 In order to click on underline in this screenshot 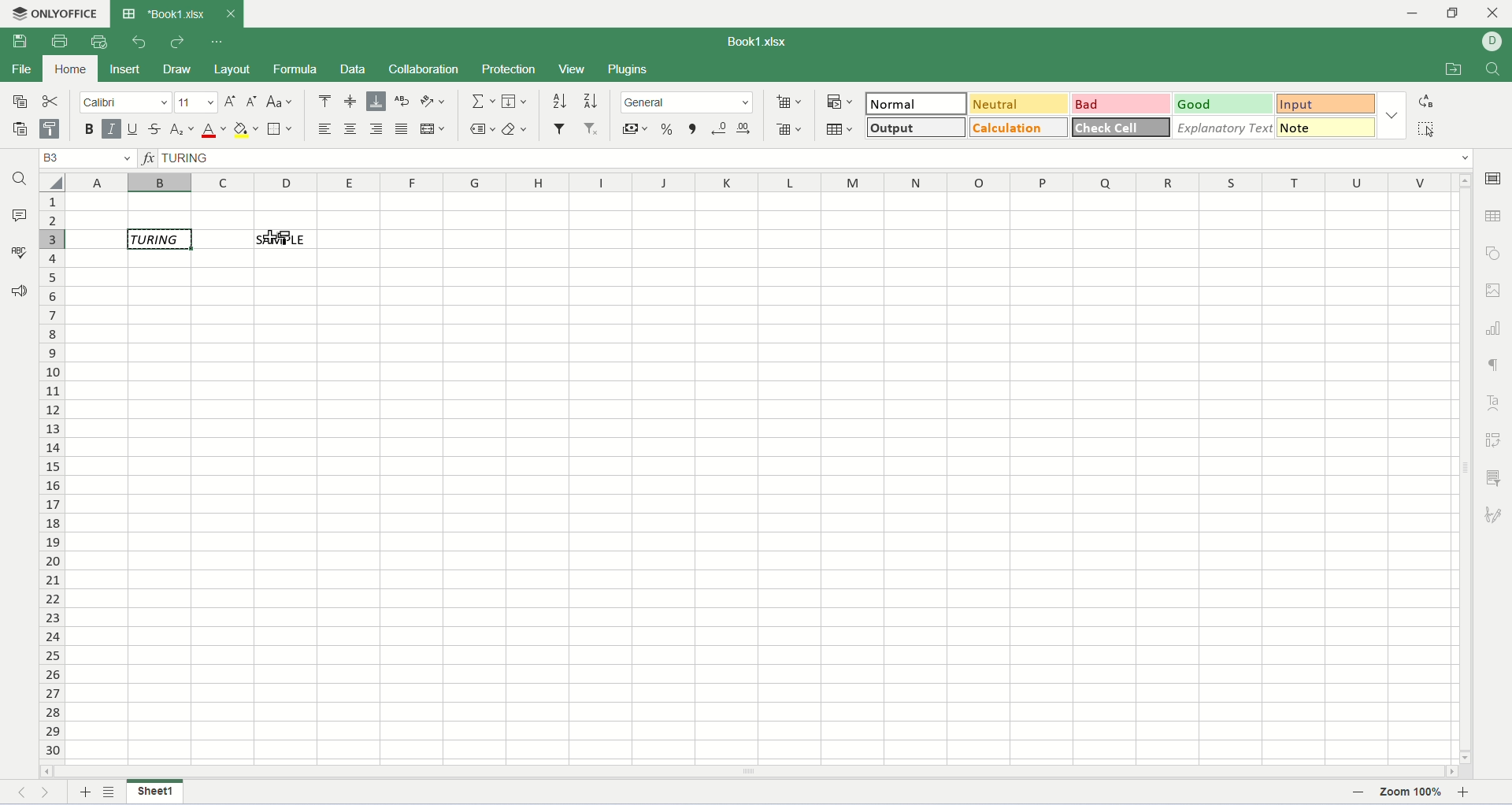, I will do `click(133, 131)`.